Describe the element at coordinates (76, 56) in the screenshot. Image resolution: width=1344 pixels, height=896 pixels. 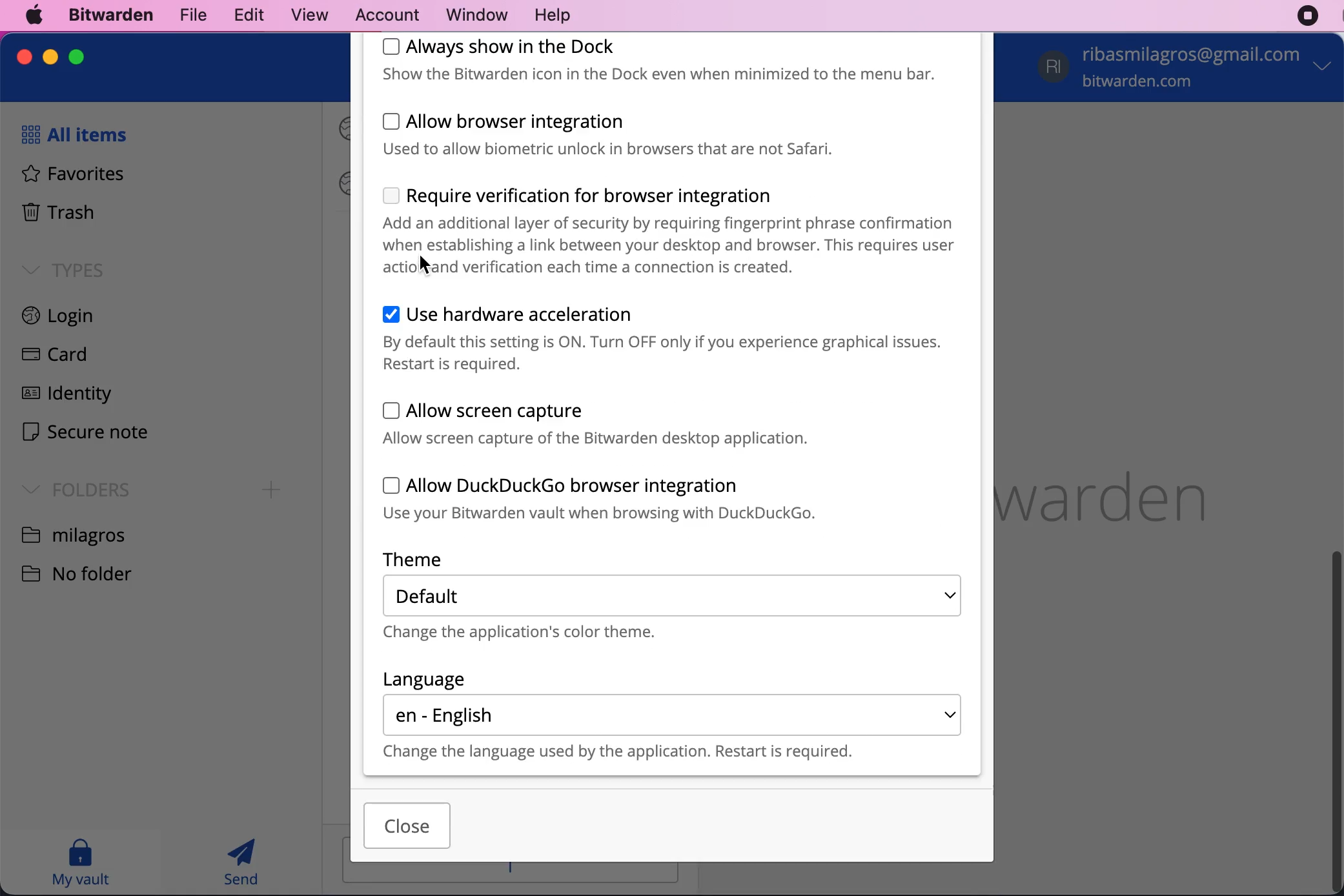
I see `maximize` at that location.